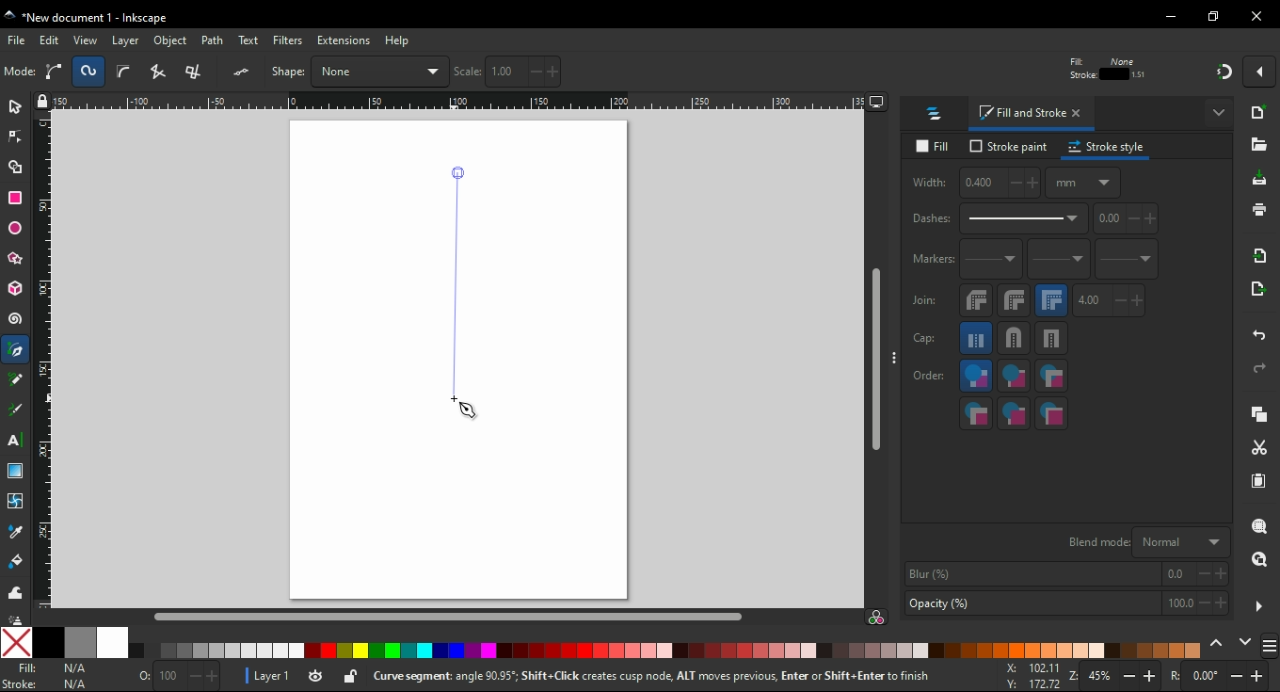 This screenshot has height=692, width=1280. I want to click on dashes, so click(998, 219).